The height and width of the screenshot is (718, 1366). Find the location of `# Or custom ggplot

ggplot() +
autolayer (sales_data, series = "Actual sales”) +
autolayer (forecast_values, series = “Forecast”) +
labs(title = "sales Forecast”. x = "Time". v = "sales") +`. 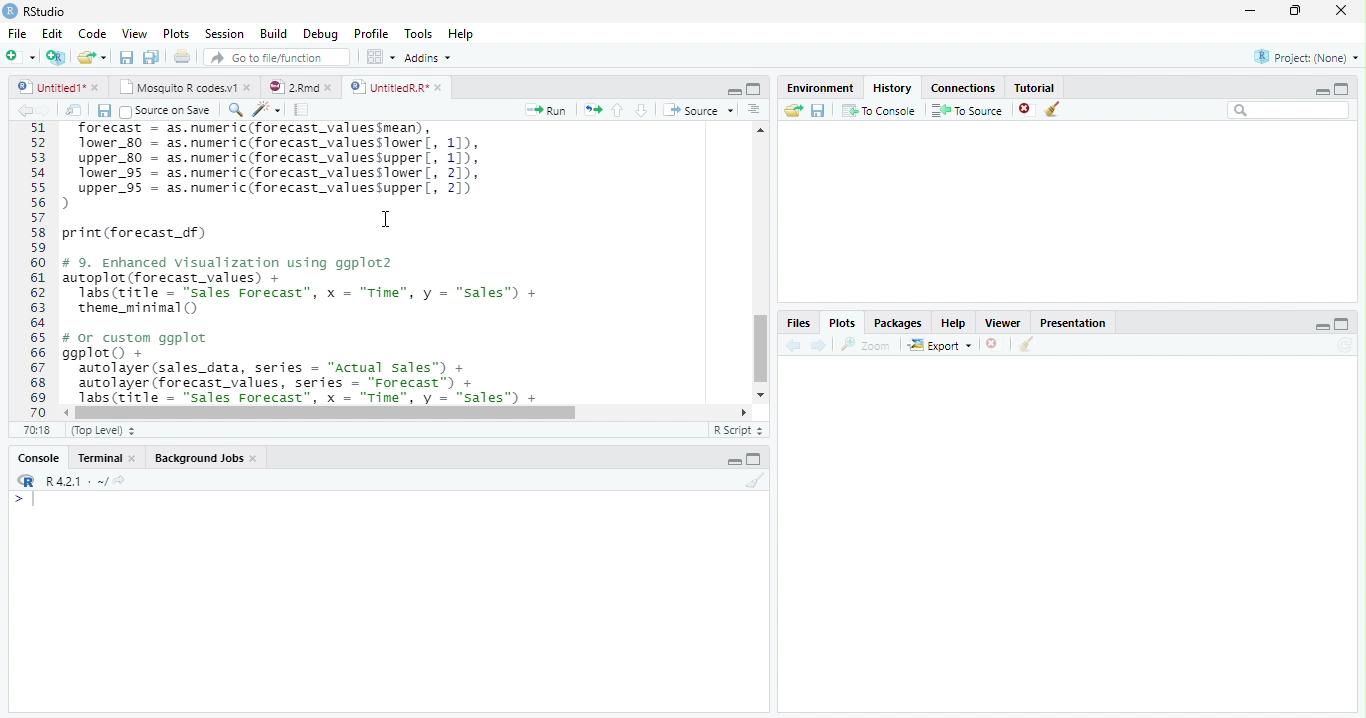

# Or custom ggplot

ggplot() +
autolayer (sales_data, series = "Actual sales”) +
autolayer (forecast_values, series = “Forecast”) +
labs(title = "sales Forecast”. x = "Time". v = "sales") + is located at coordinates (321, 367).